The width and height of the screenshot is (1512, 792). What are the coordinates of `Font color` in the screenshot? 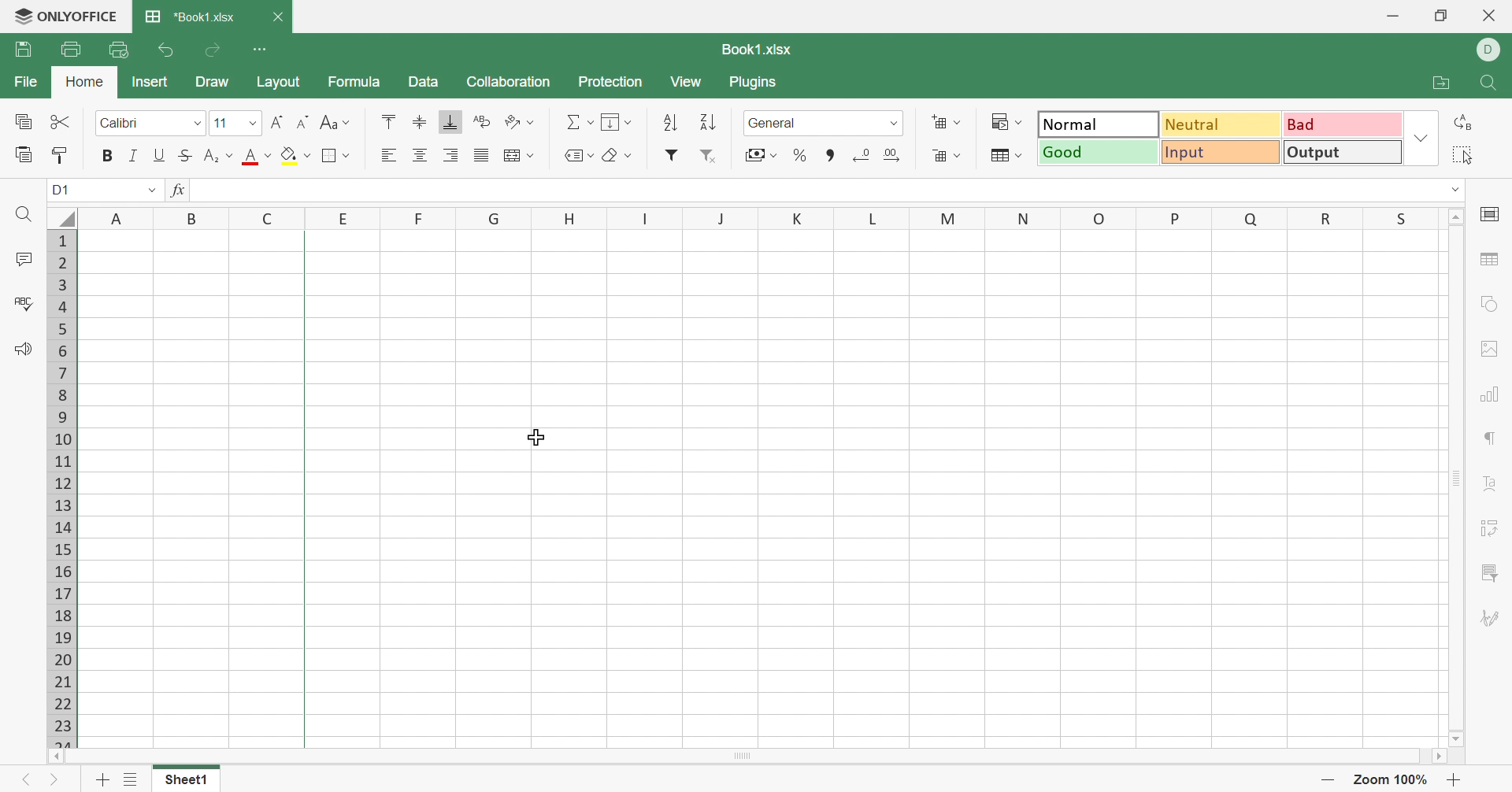 It's located at (253, 156).